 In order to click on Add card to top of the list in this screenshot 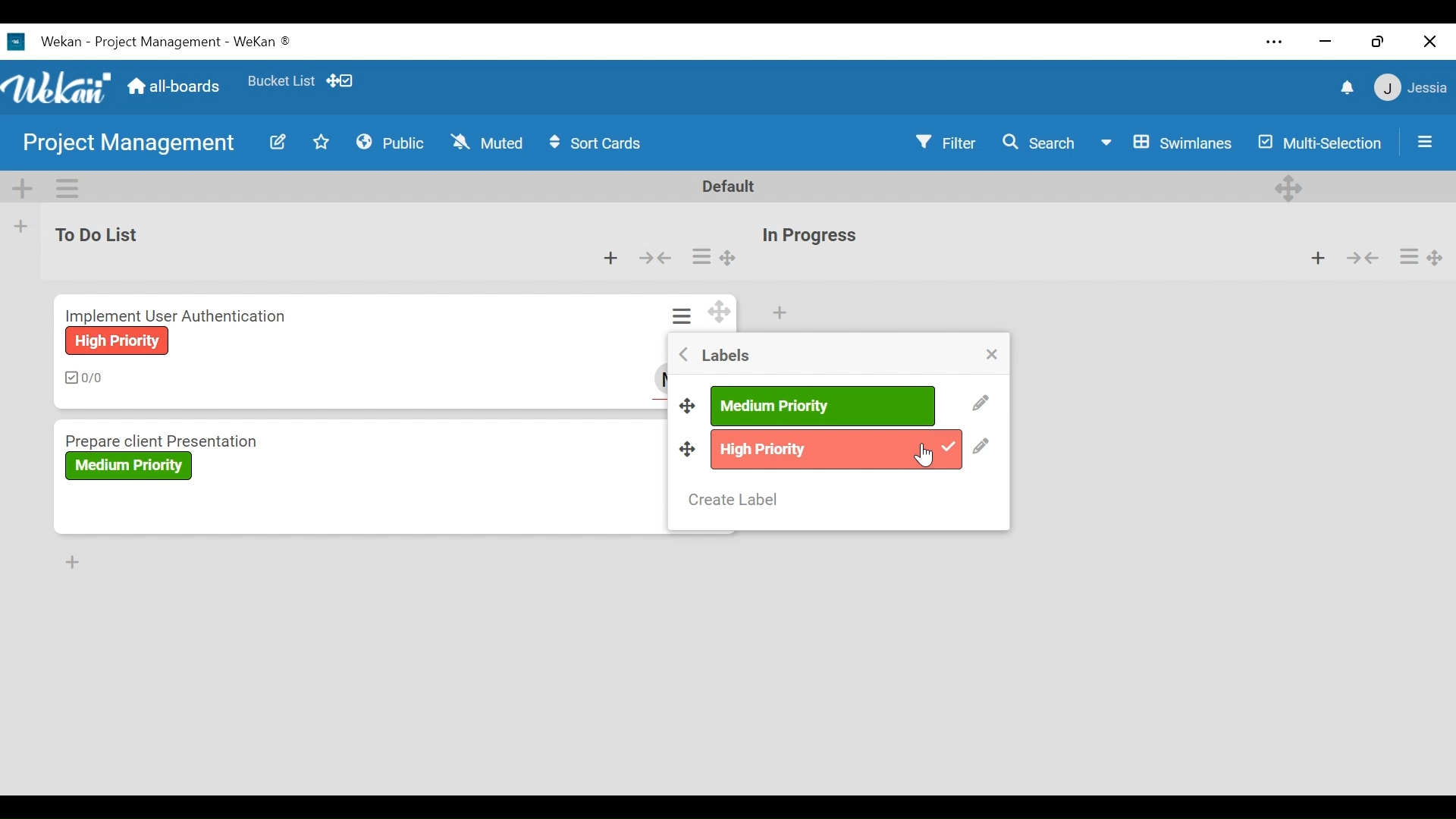, I will do `click(1318, 257)`.